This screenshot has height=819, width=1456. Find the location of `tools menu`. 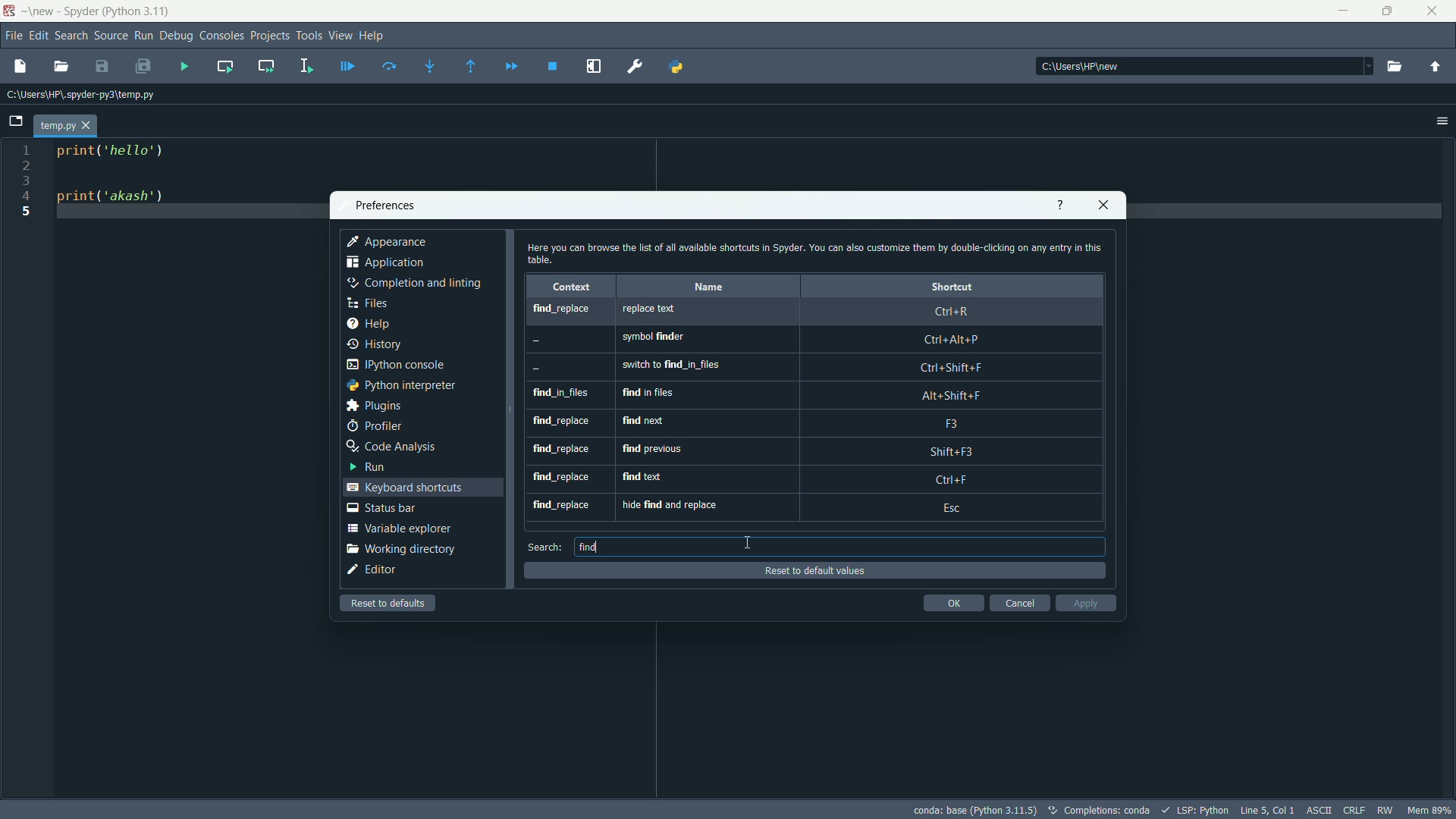

tools menu is located at coordinates (310, 36).